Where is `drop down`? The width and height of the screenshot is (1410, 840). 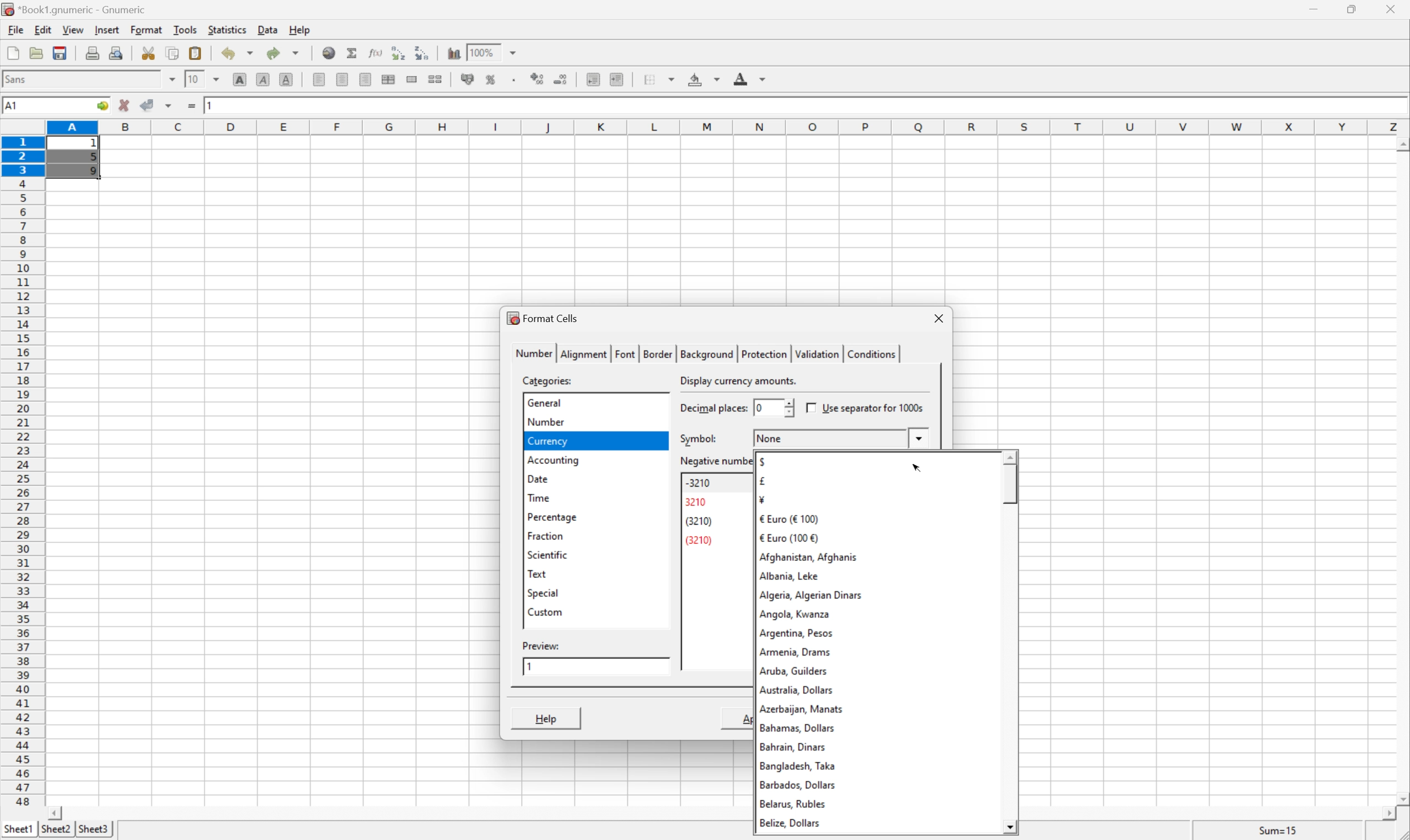 drop down is located at coordinates (920, 438).